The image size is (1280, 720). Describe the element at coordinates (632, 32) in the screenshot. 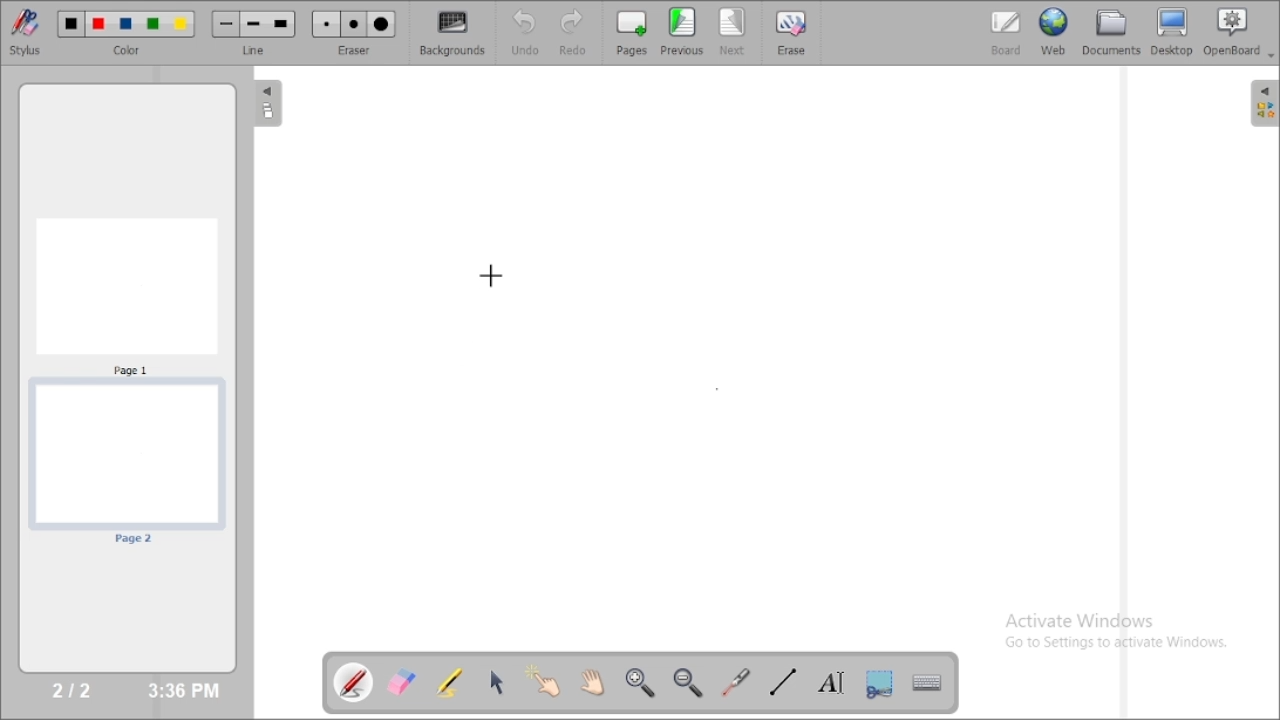

I see `pages` at that location.